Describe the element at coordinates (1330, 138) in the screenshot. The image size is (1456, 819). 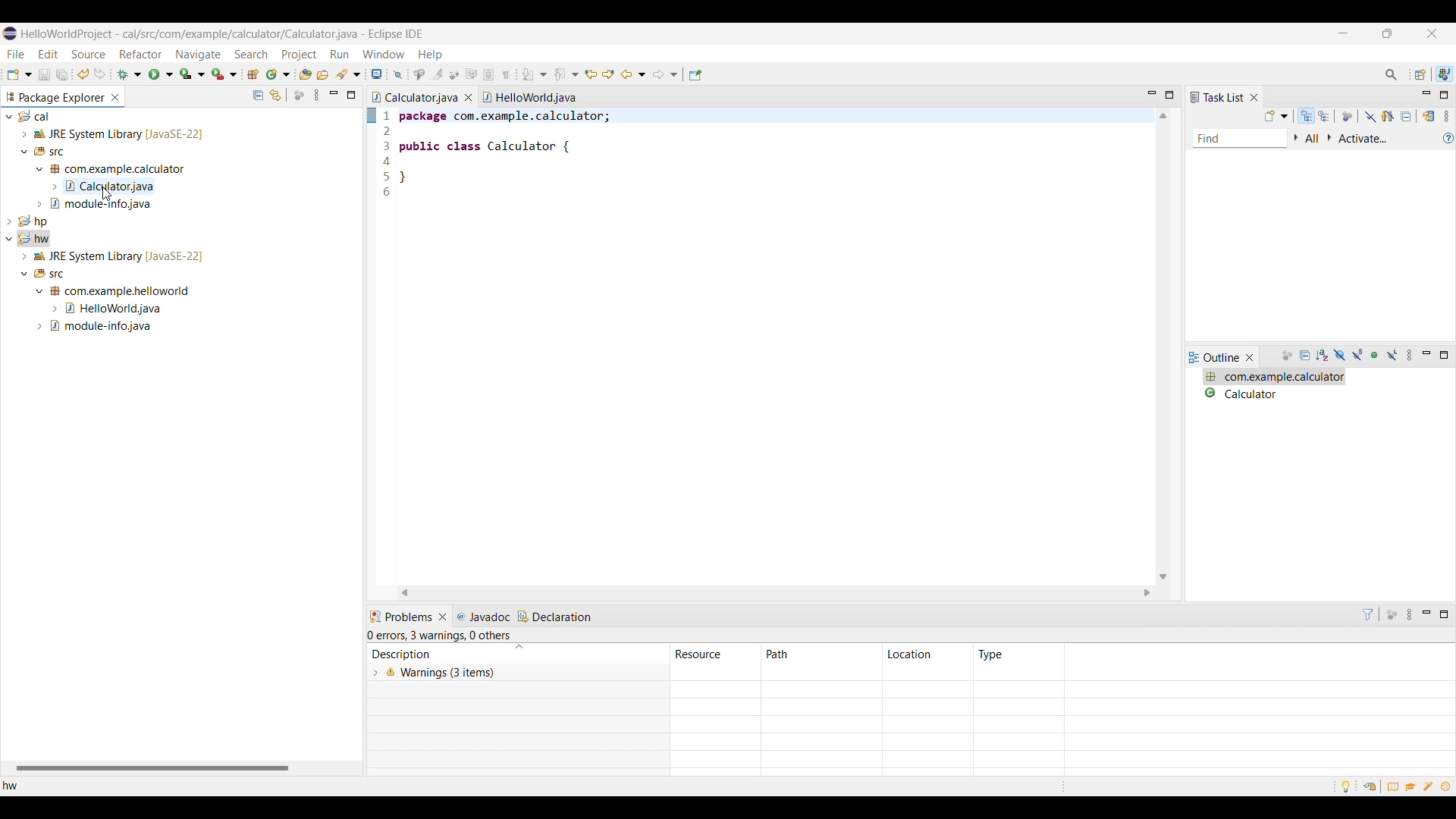
I see `Select active task` at that location.